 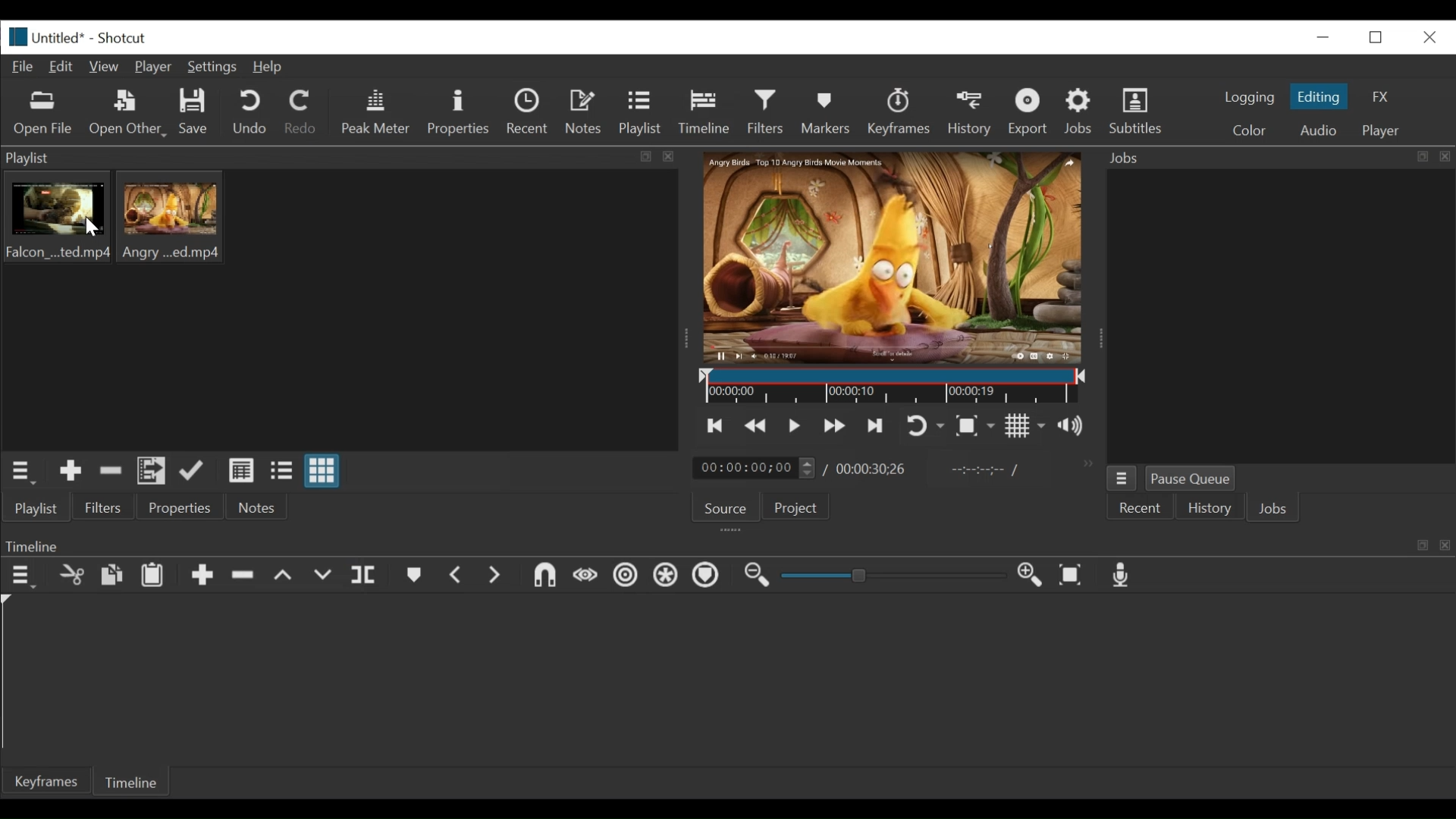 What do you see at coordinates (48, 781) in the screenshot?
I see `Keyframes` at bounding box center [48, 781].